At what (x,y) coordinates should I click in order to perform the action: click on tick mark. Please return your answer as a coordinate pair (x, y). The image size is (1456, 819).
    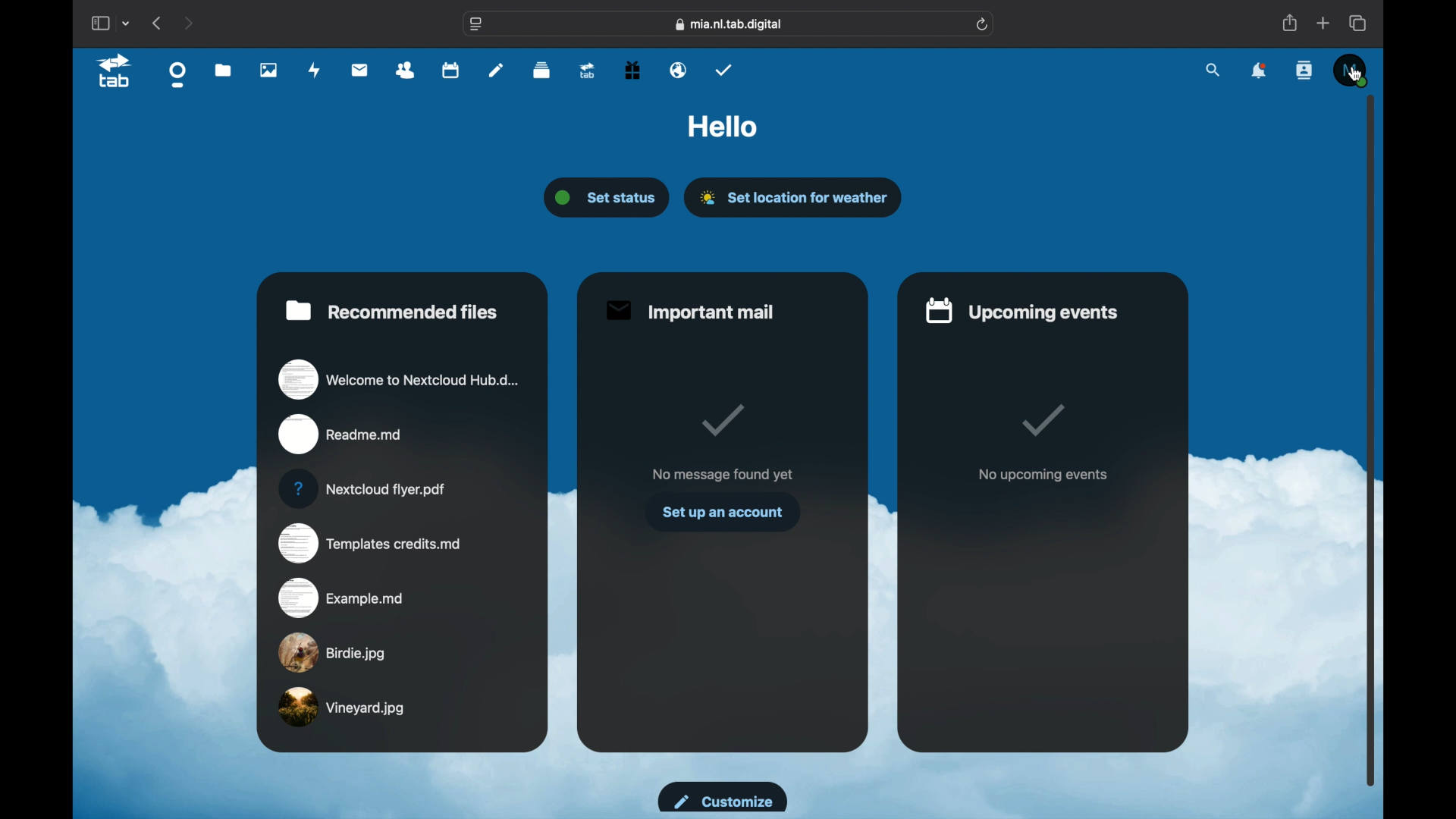
    Looking at the image, I should click on (1045, 422).